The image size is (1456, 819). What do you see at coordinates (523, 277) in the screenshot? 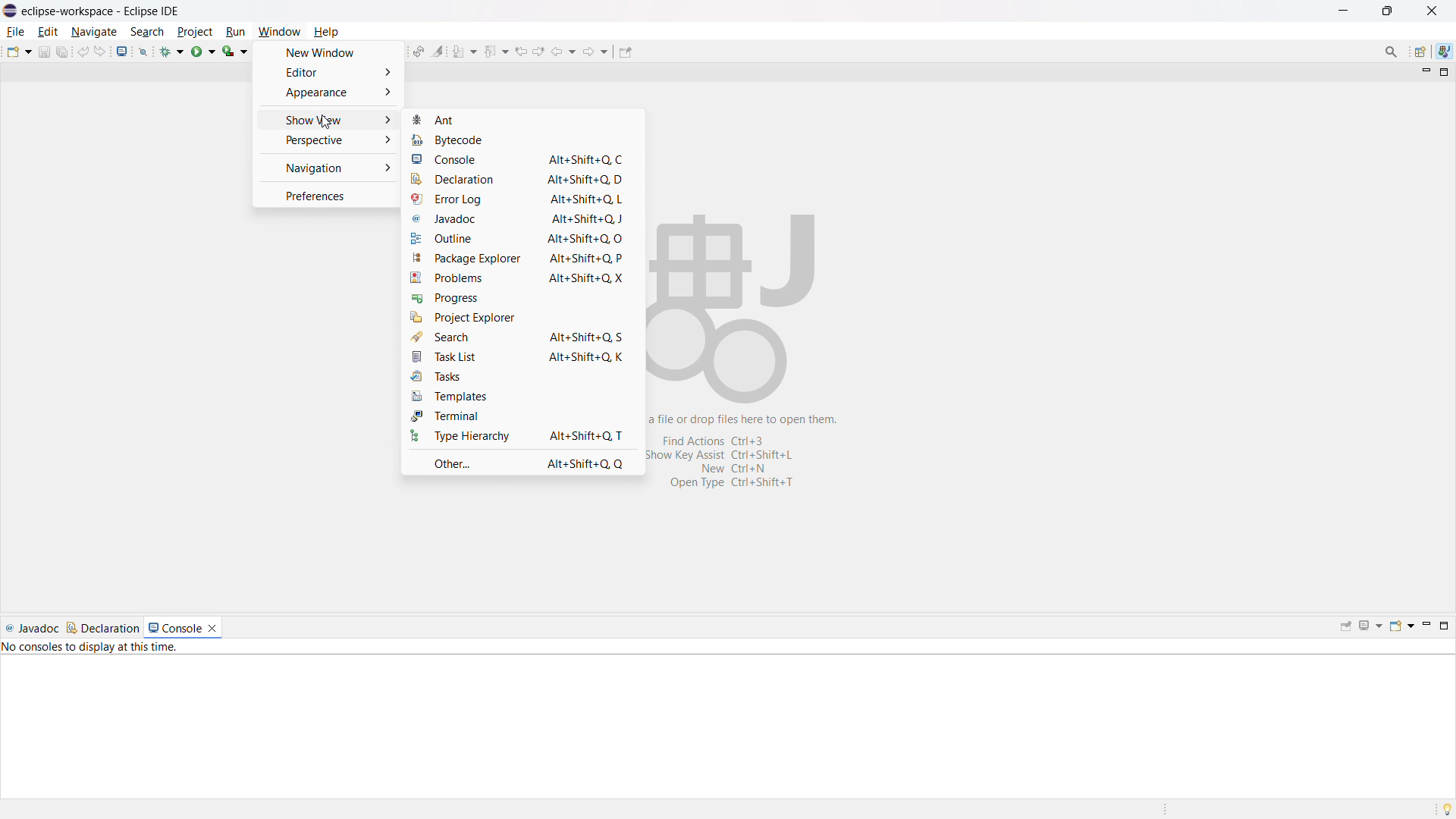
I see `problems` at bounding box center [523, 277].